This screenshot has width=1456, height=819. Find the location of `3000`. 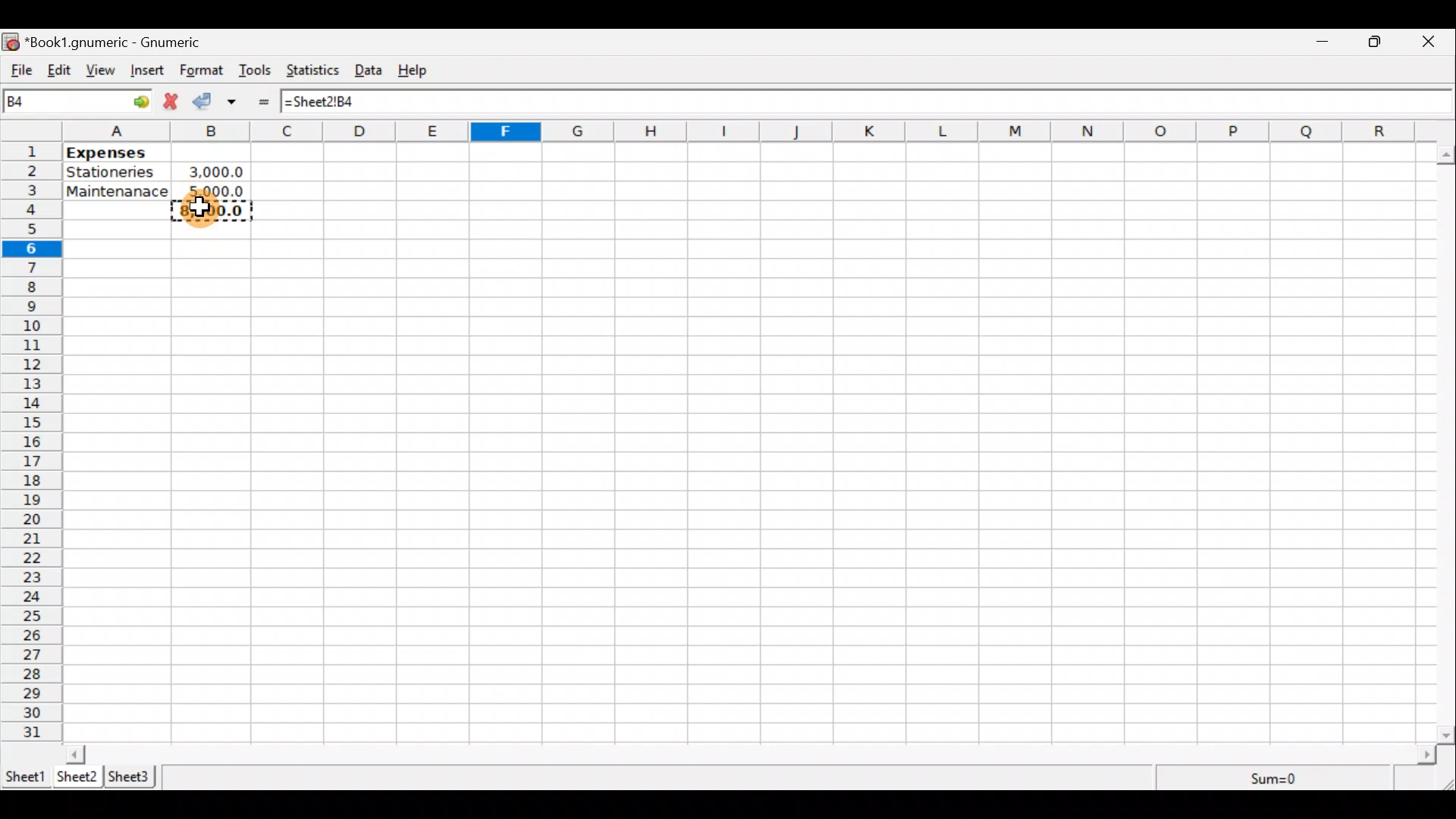

3000 is located at coordinates (218, 170).